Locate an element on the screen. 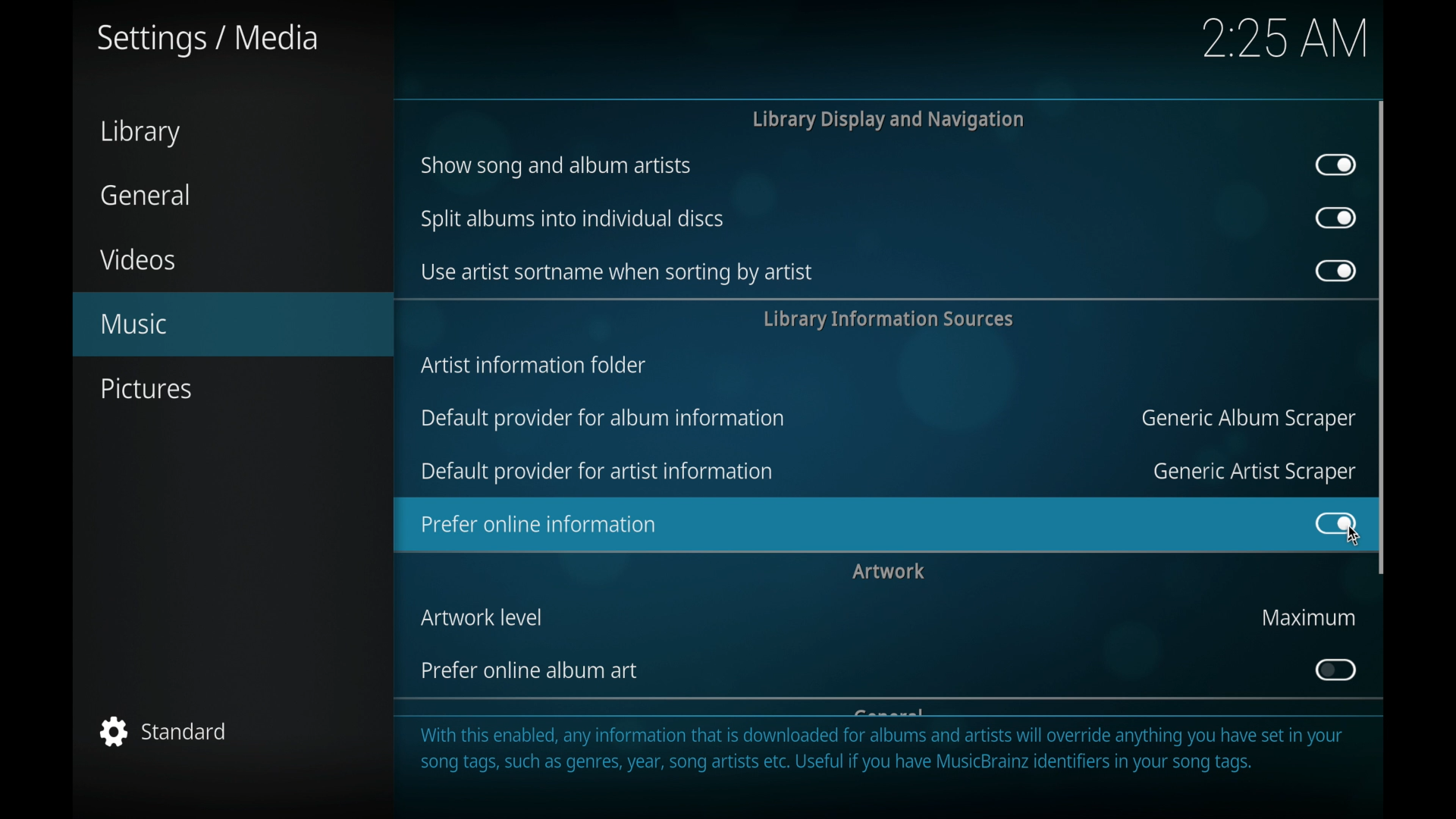  generic artist scraper is located at coordinates (1252, 473).